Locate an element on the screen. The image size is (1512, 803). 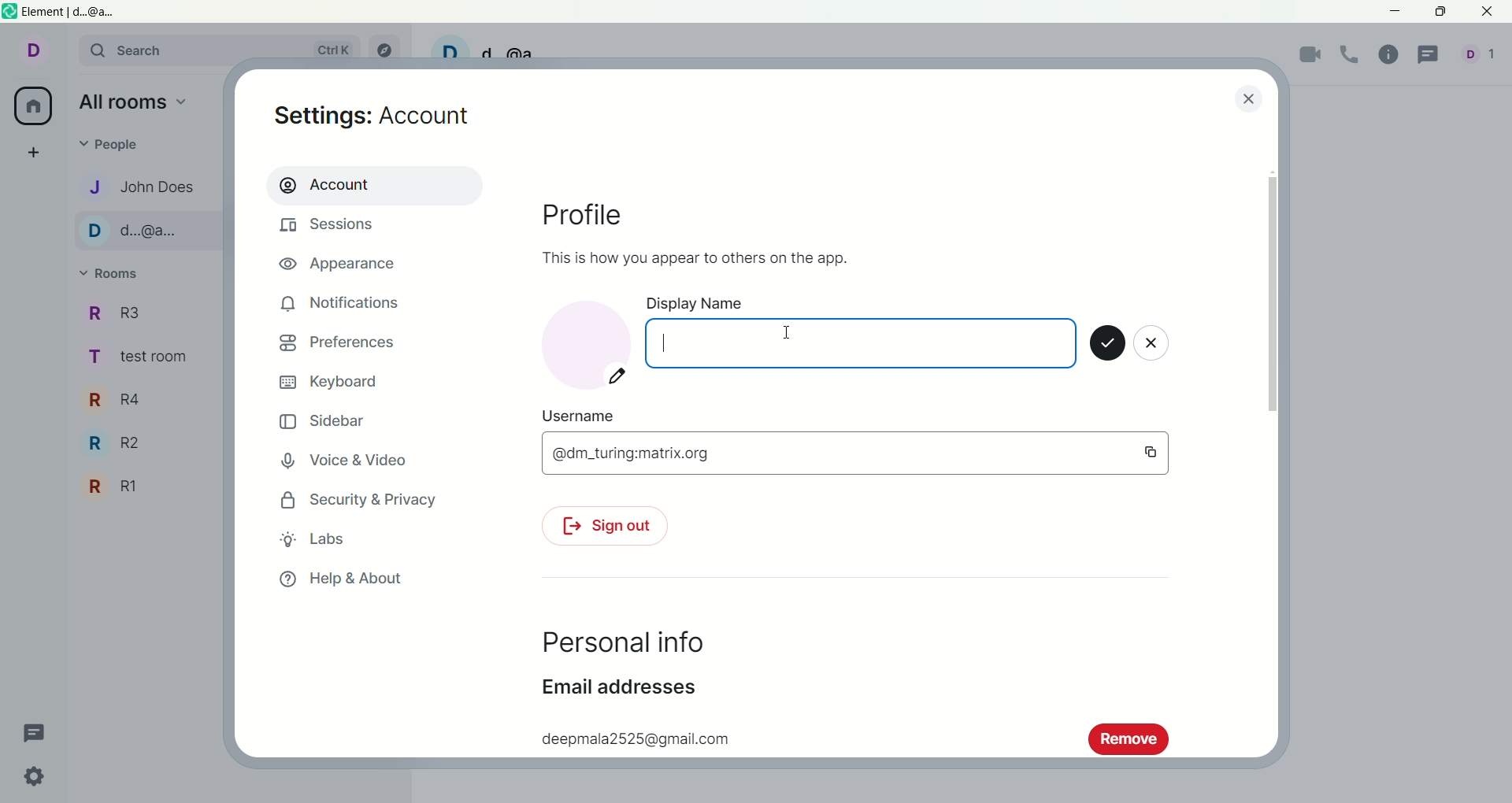
room info is located at coordinates (1393, 54).